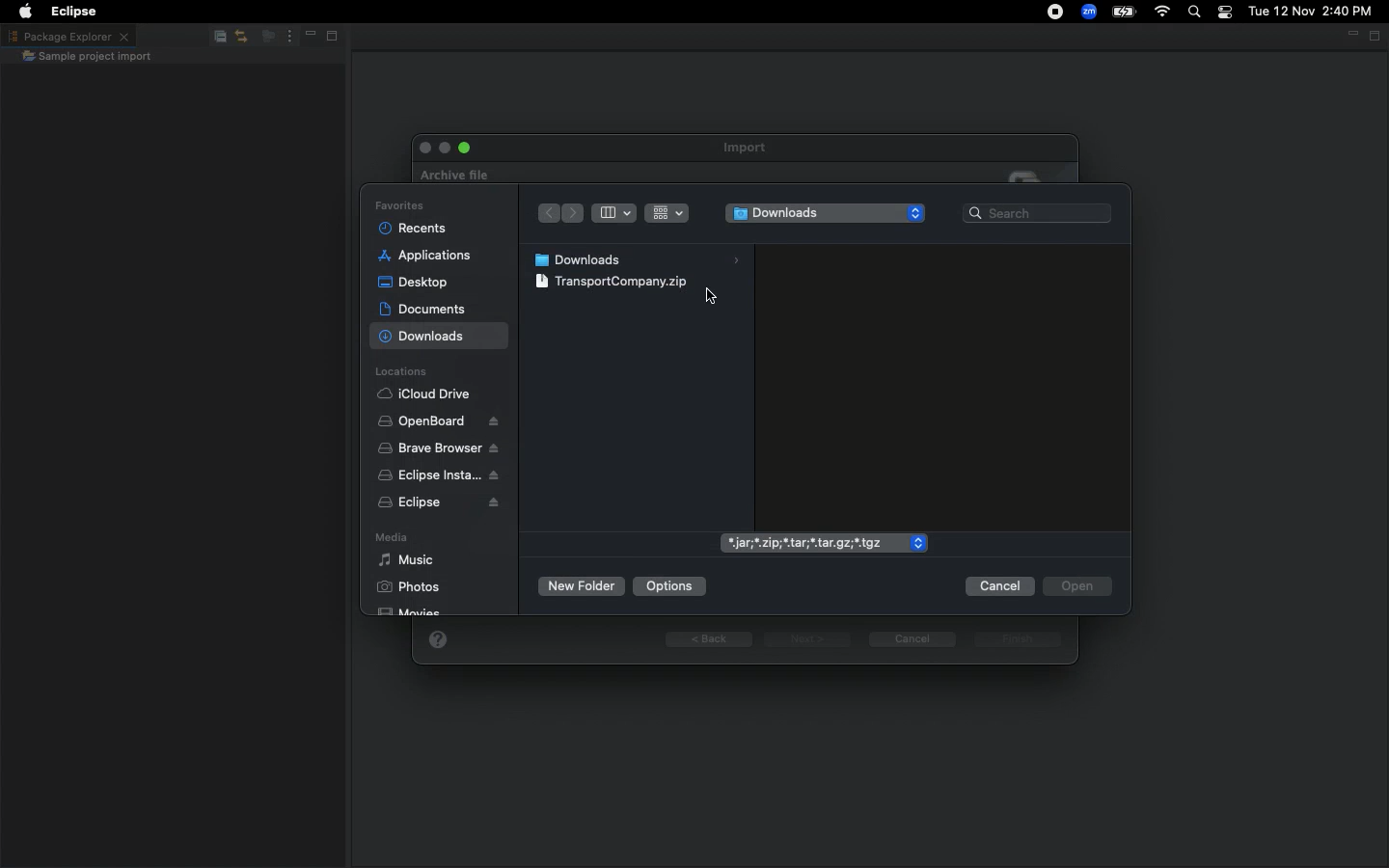  I want to click on Search, so click(1038, 214).